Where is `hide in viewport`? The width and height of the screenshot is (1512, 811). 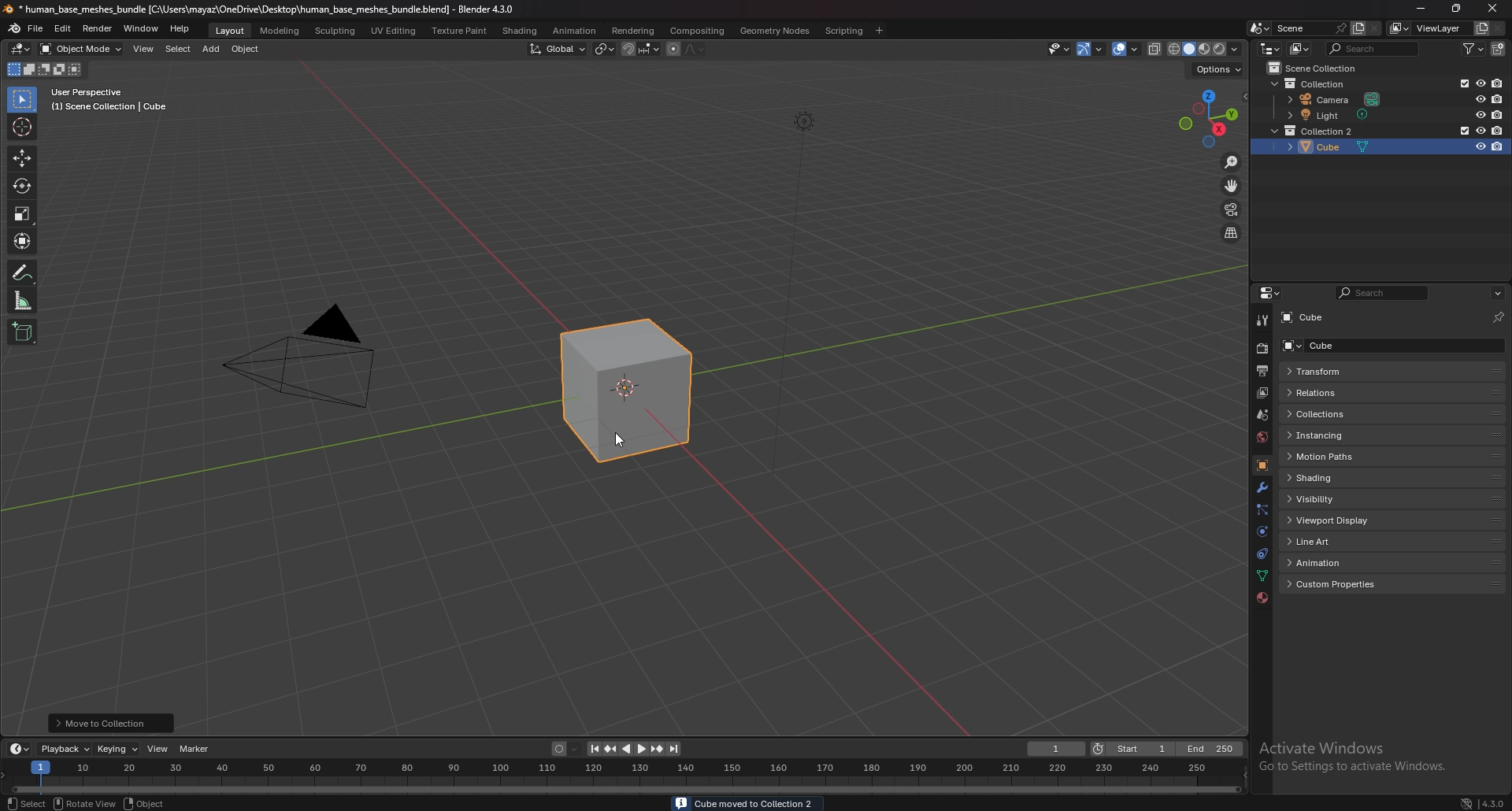 hide in viewport is located at coordinates (1480, 146).